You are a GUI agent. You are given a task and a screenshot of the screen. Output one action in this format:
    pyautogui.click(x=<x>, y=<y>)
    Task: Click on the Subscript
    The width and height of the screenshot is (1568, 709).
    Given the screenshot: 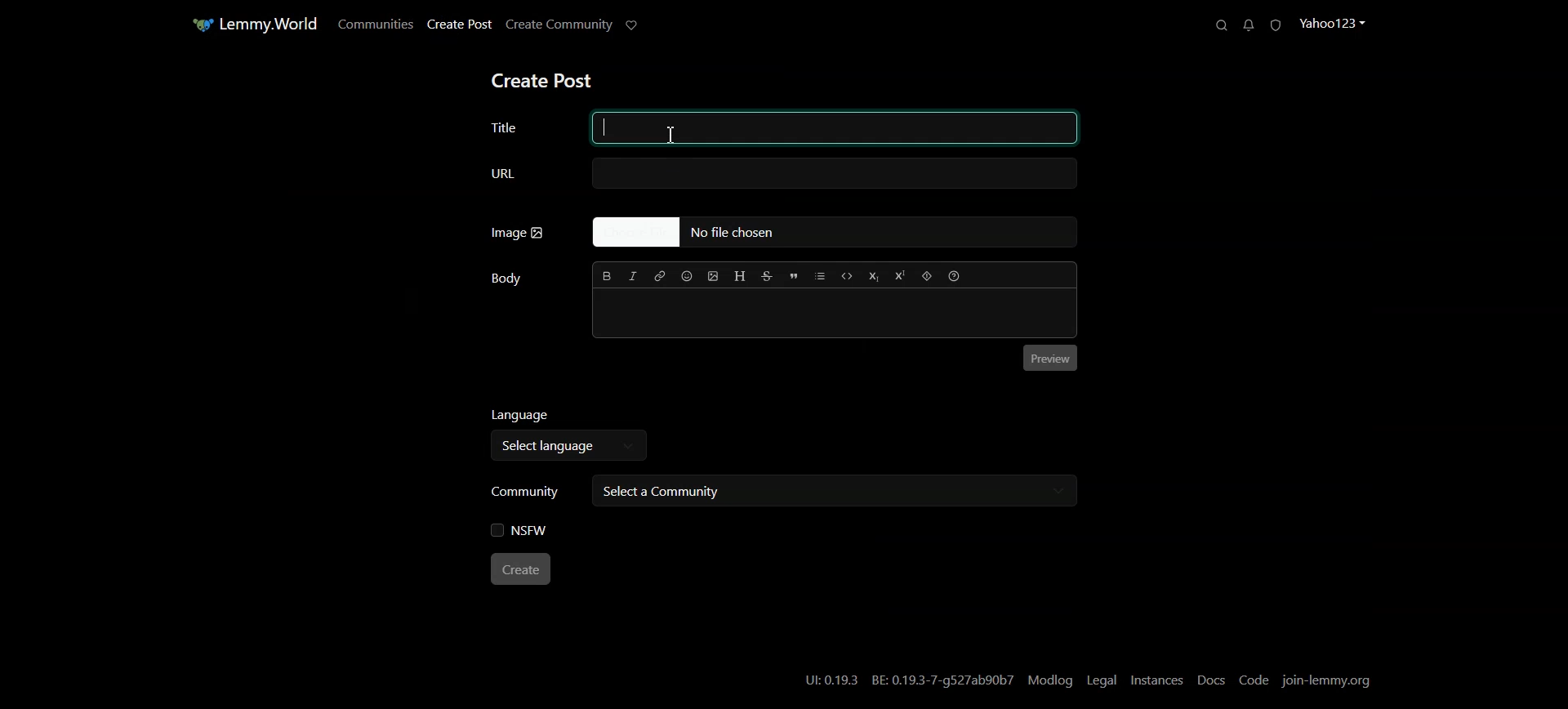 What is the action you would take?
    pyautogui.click(x=875, y=276)
    